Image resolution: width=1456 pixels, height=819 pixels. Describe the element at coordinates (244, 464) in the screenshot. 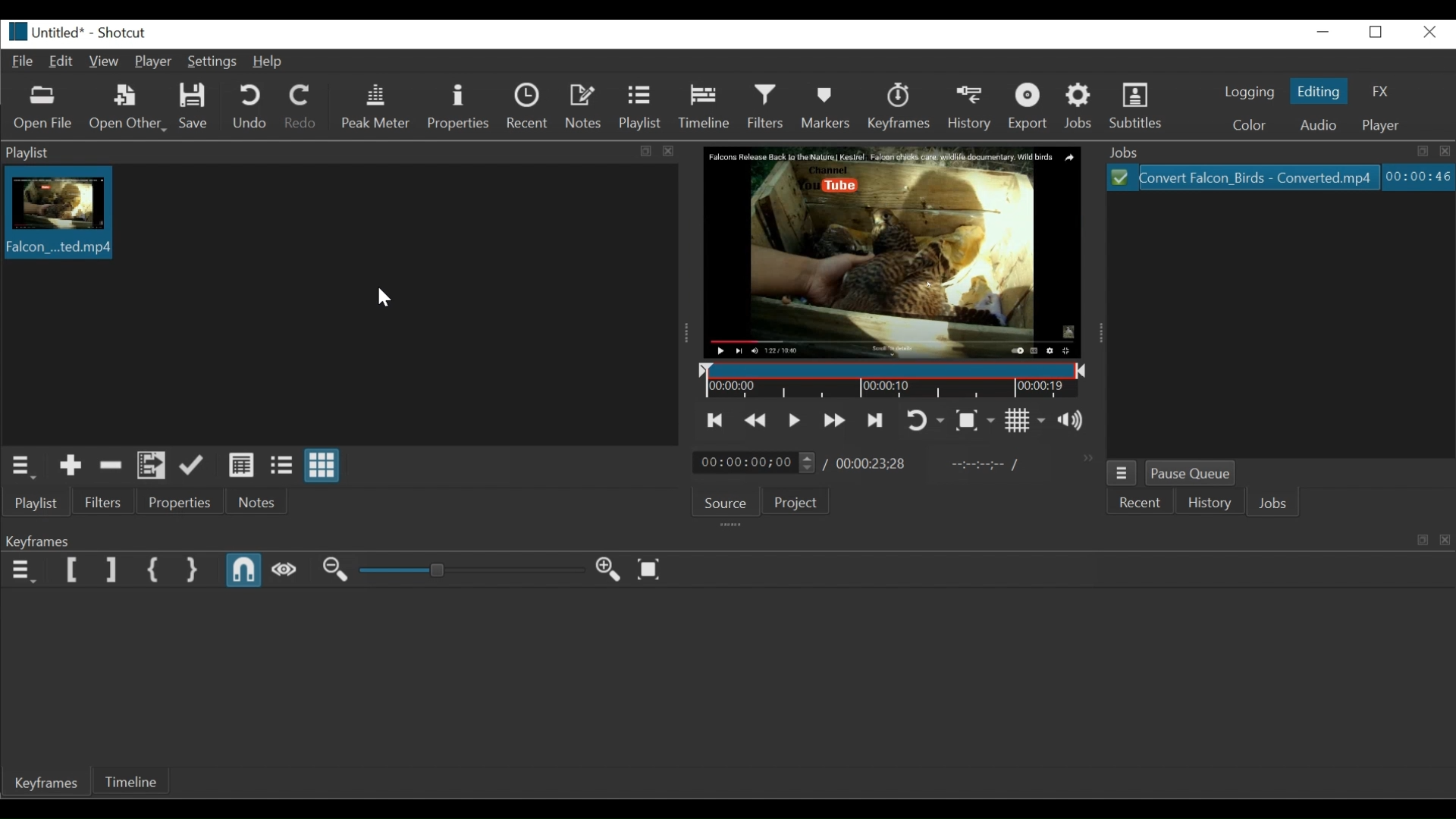

I see `View as details` at that location.